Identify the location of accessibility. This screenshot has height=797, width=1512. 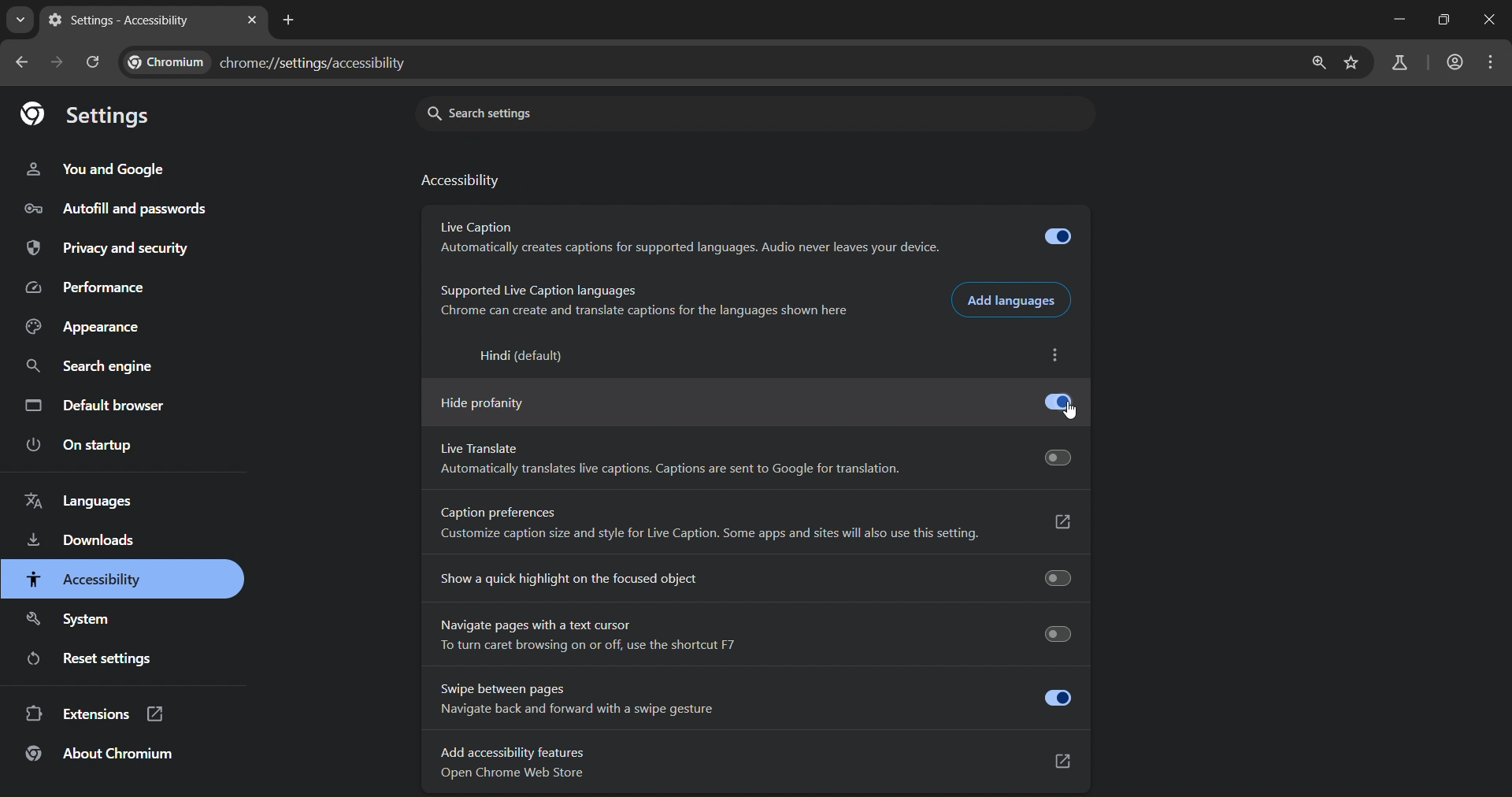
(465, 178).